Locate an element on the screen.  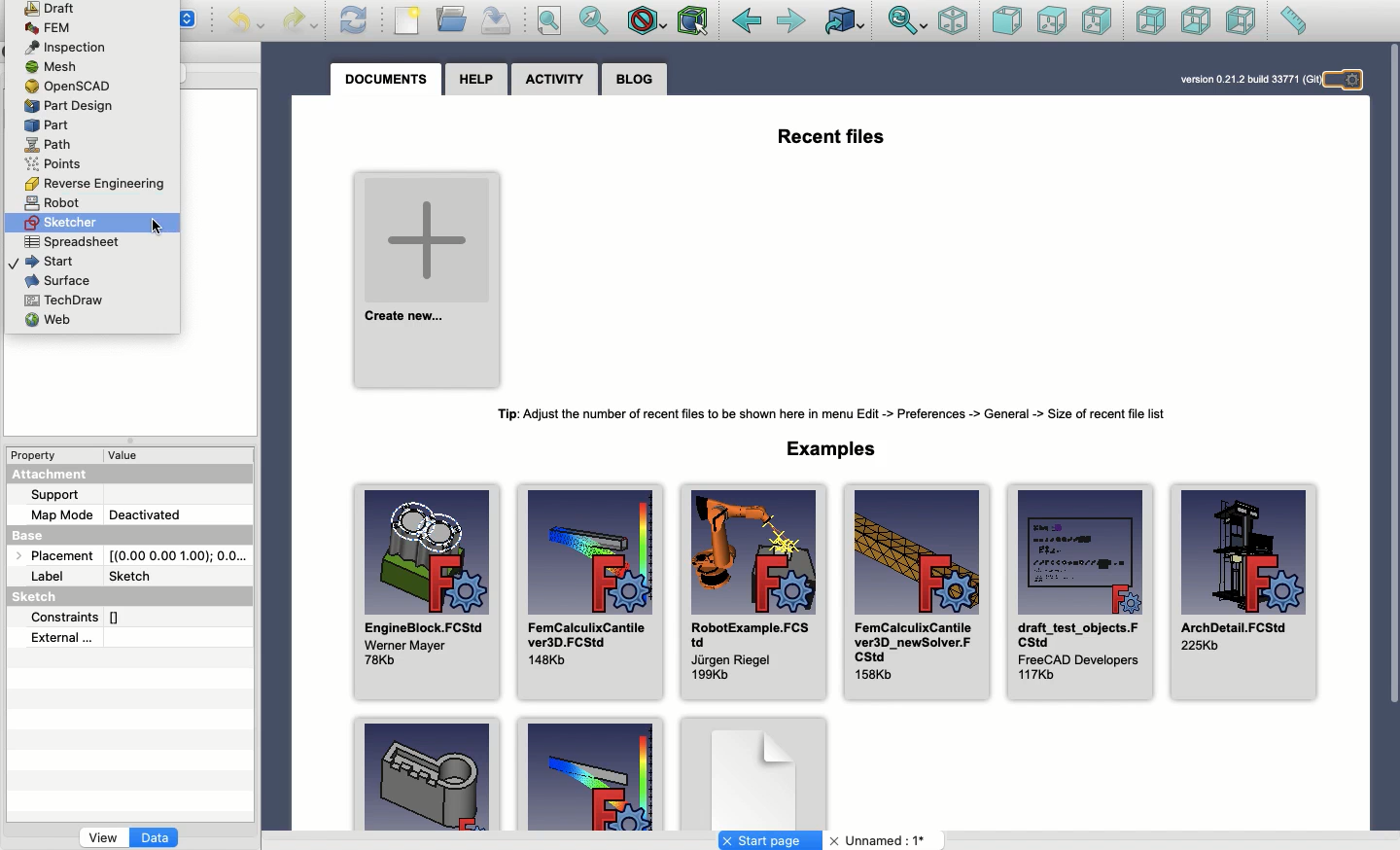
Refresh is located at coordinates (354, 20).